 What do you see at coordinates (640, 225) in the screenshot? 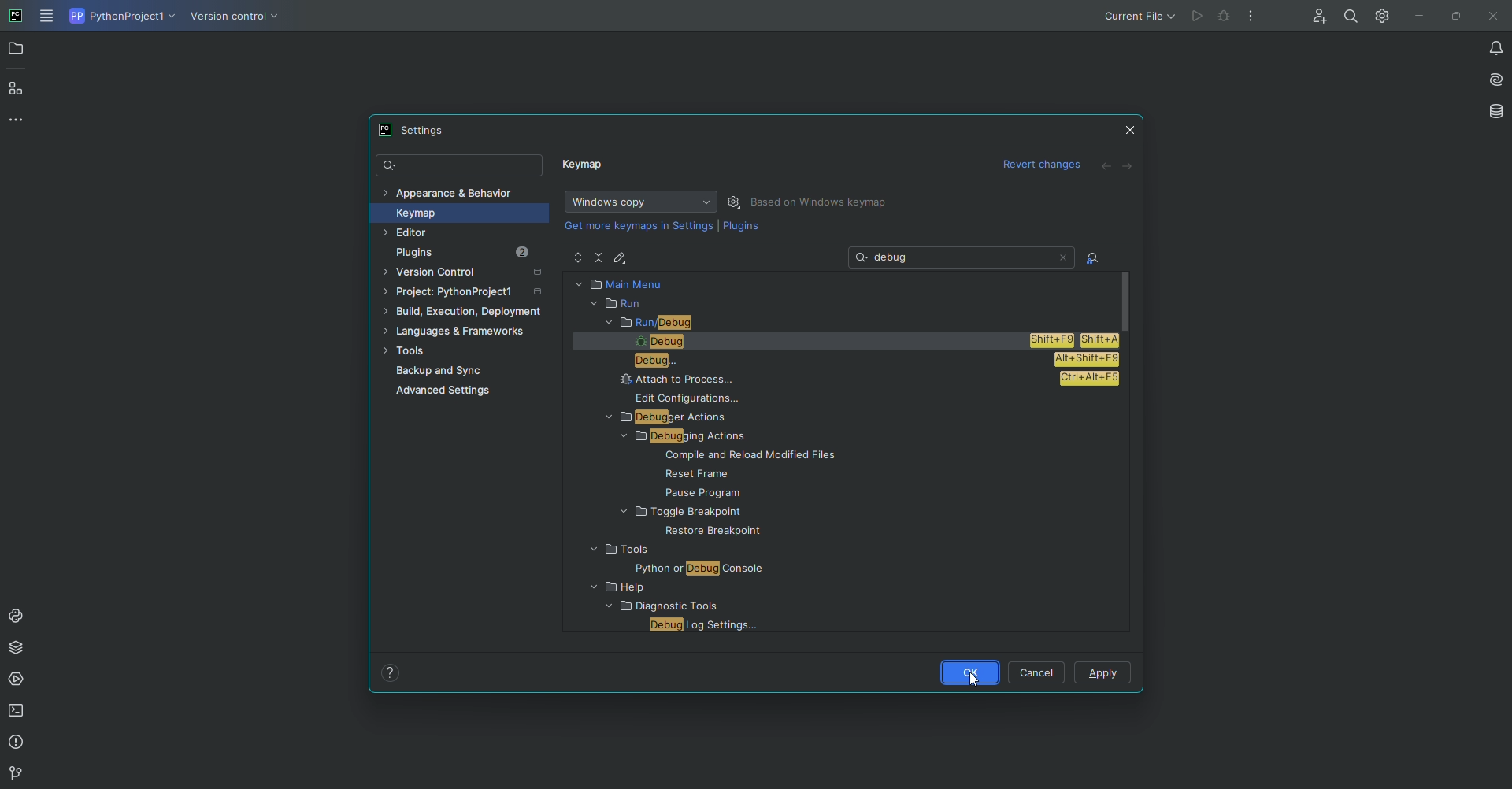
I see `get more keymaps` at bounding box center [640, 225].